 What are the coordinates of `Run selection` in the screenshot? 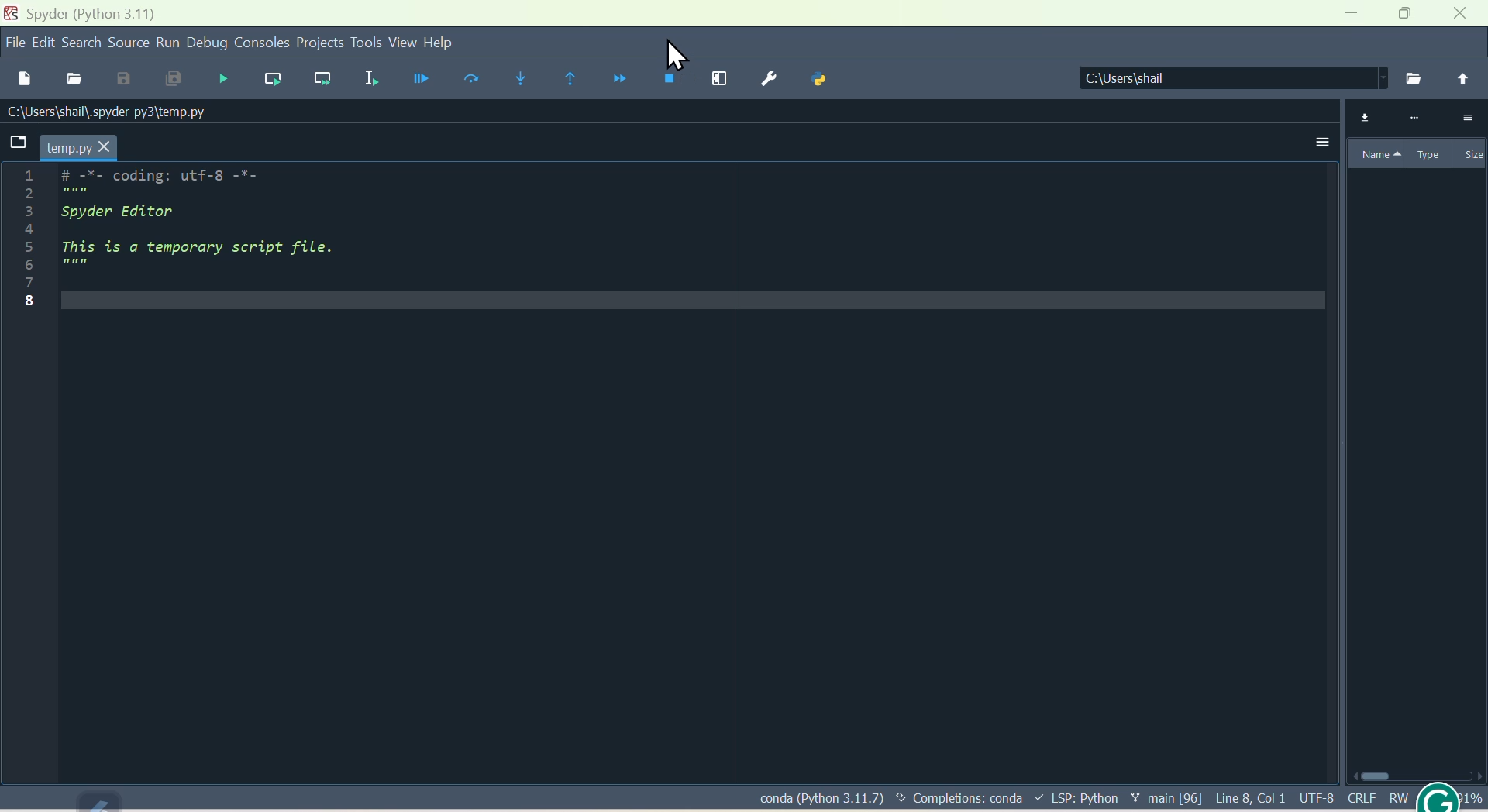 It's located at (367, 80).